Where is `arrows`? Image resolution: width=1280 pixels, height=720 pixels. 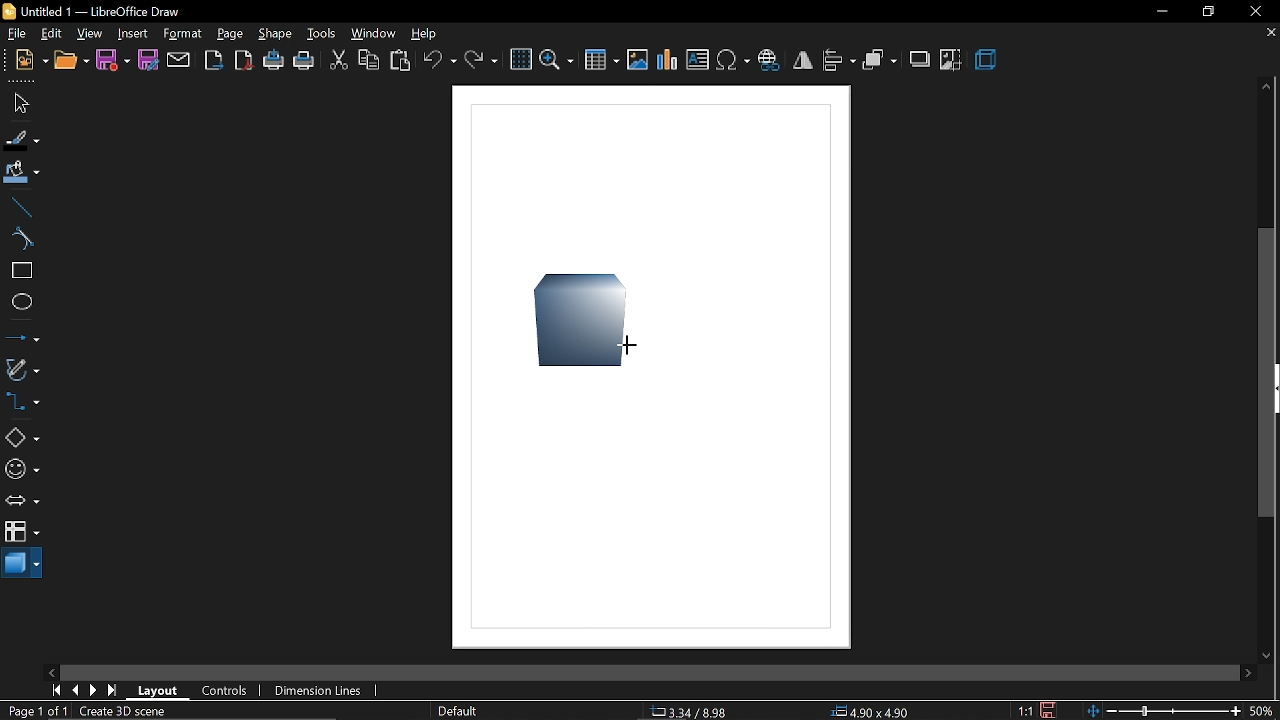 arrows is located at coordinates (22, 500).